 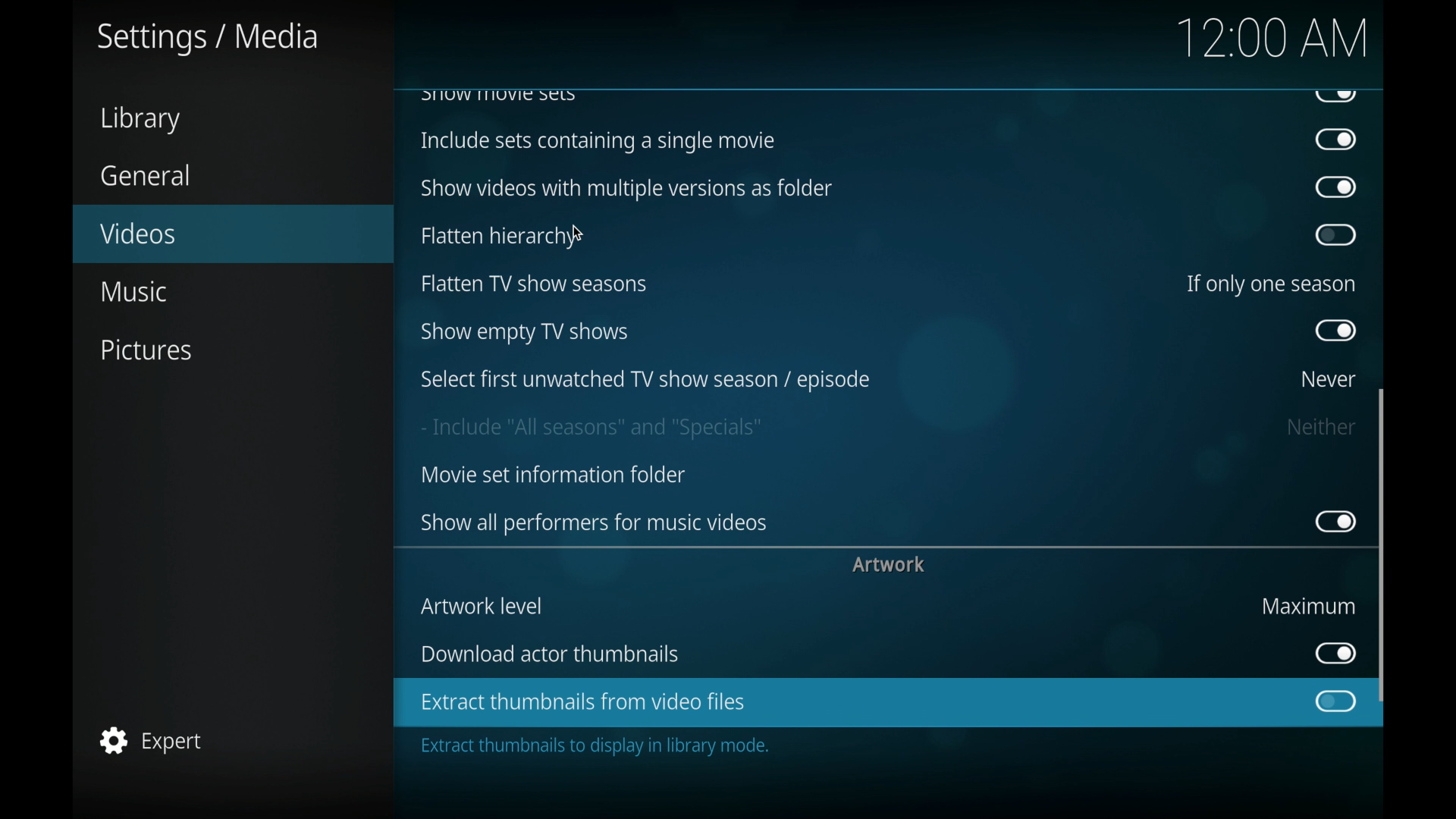 What do you see at coordinates (1336, 522) in the screenshot?
I see `toggle button` at bounding box center [1336, 522].